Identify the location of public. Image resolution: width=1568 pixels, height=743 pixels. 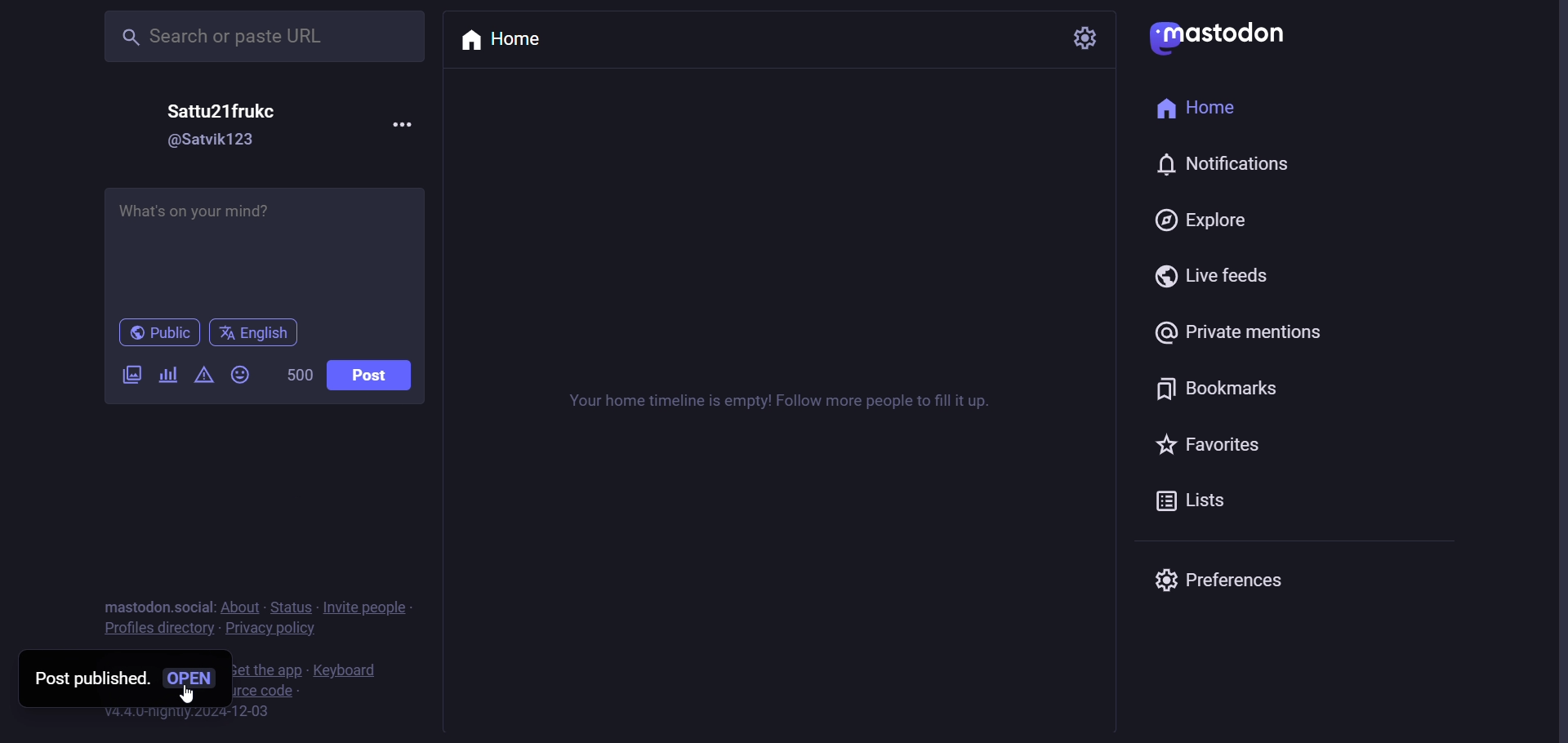
(156, 332).